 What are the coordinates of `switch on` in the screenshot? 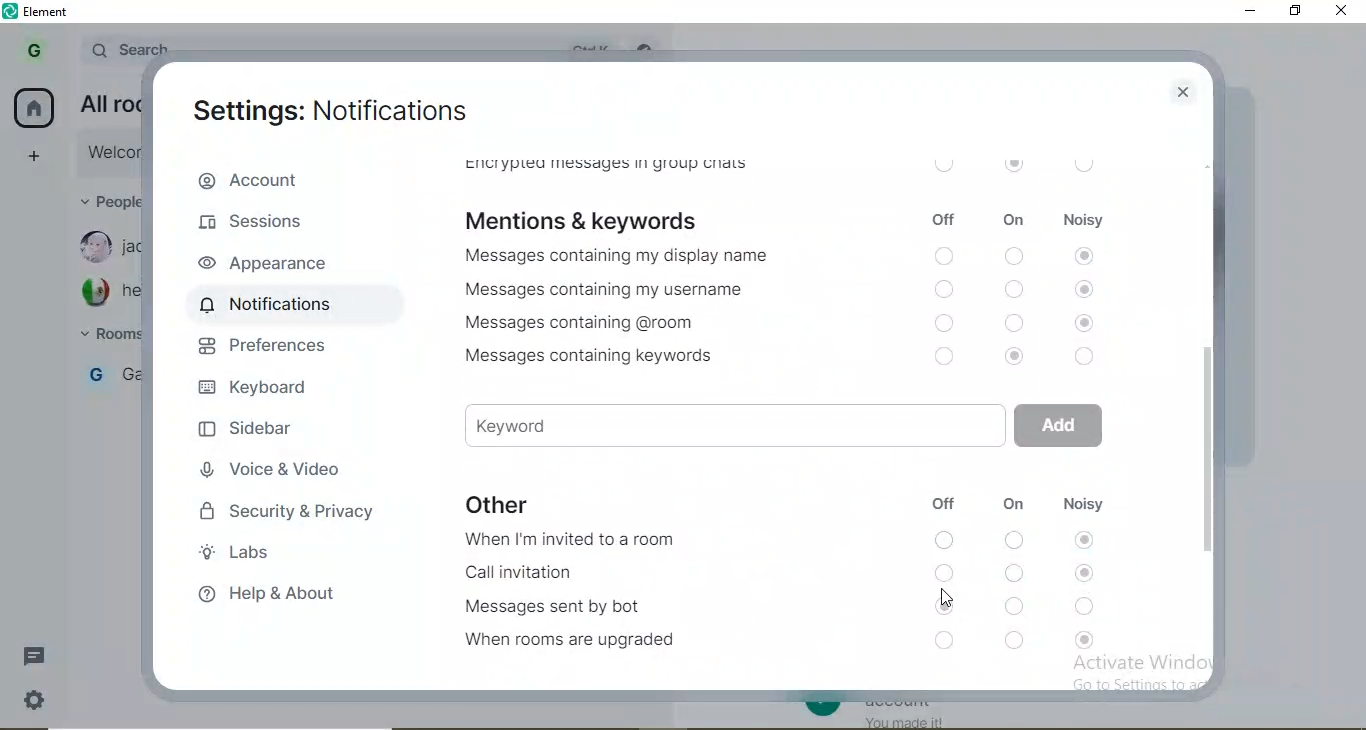 It's located at (1014, 605).